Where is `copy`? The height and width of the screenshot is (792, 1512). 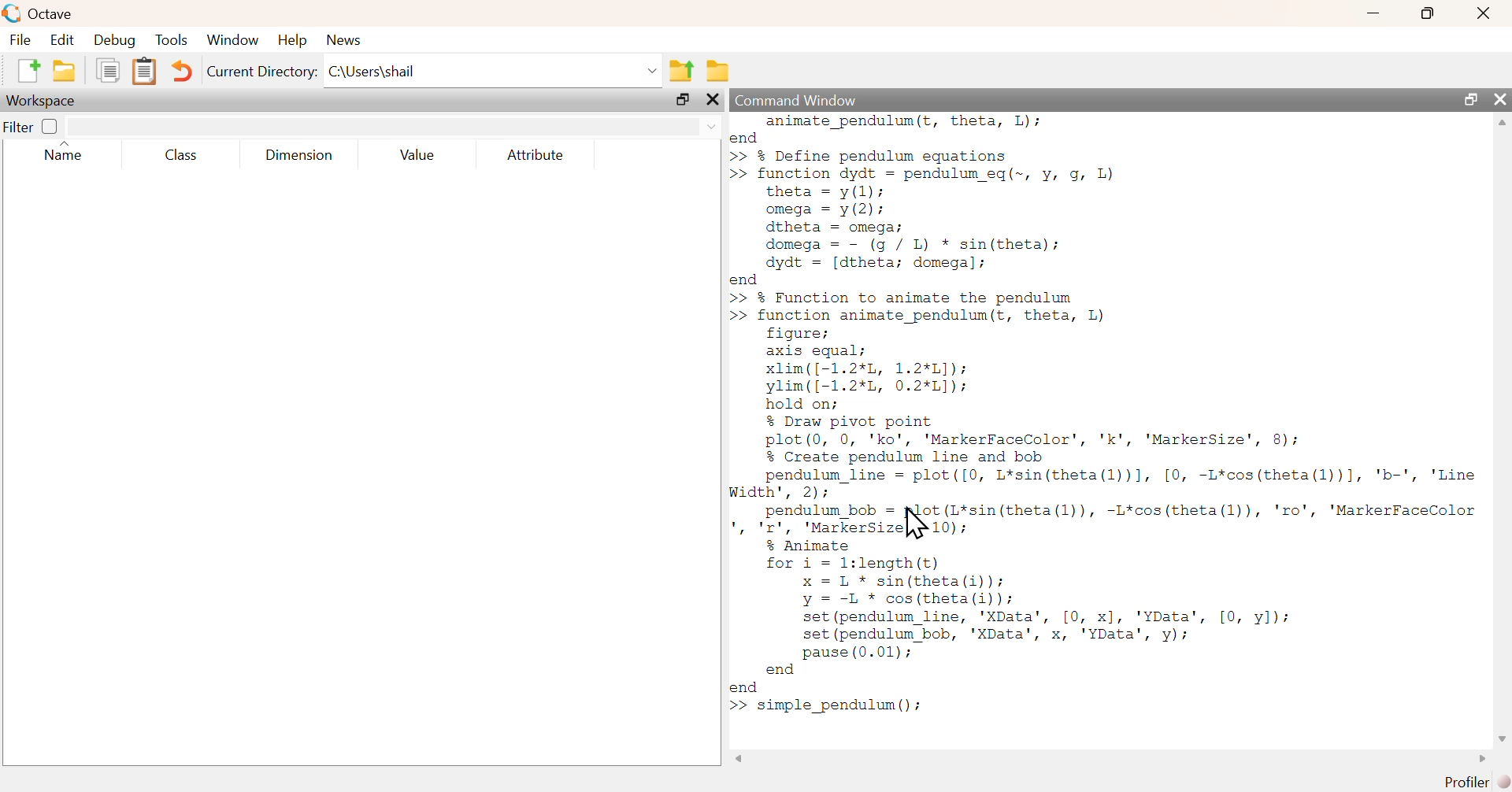 copy is located at coordinates (111, 69).